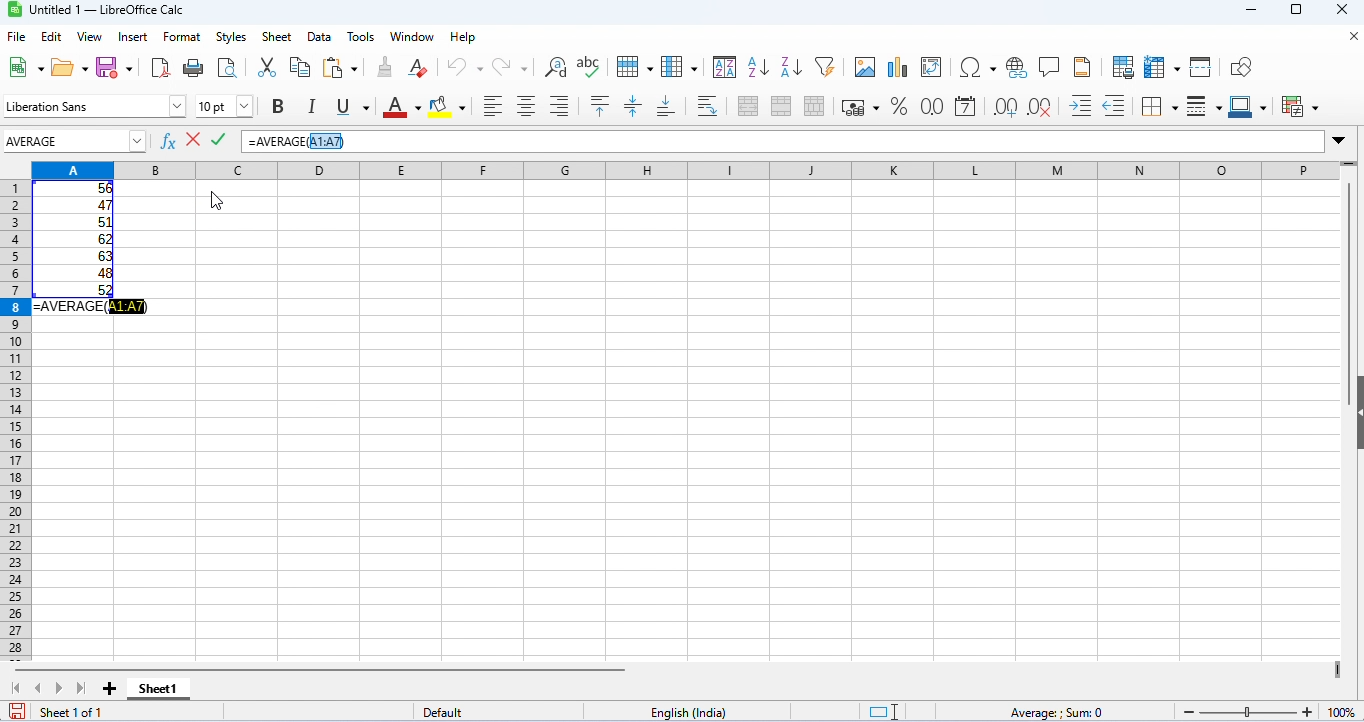 This screenshot has height=722, width=1364. What do you see at coordinates (72, 712) in the screenshot?
I see `sheet 1 of 1` at bounding box center [72, 712].